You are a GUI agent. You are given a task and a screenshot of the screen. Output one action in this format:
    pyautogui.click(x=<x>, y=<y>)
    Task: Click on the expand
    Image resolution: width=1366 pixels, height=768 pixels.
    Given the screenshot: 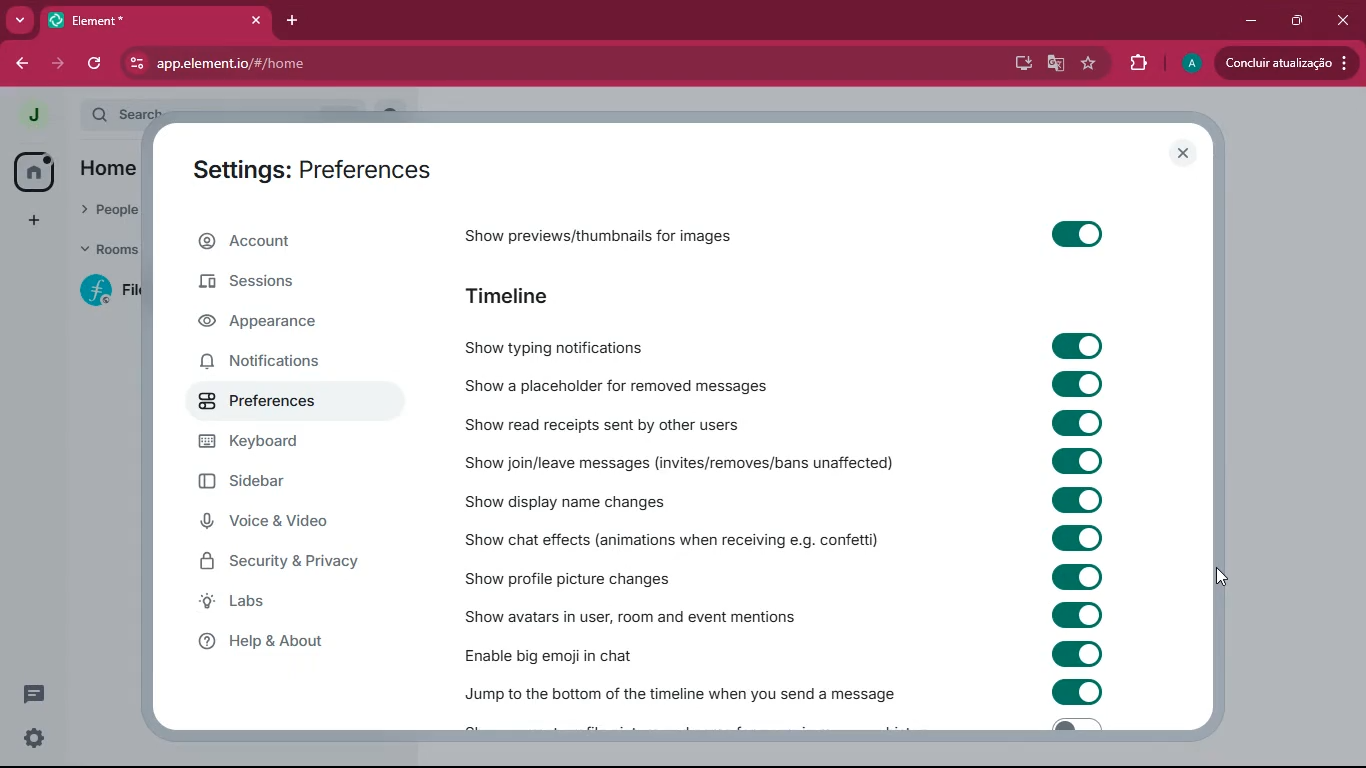 What is the action you would take?
    pyautogui.click(x=69, y=116)
    